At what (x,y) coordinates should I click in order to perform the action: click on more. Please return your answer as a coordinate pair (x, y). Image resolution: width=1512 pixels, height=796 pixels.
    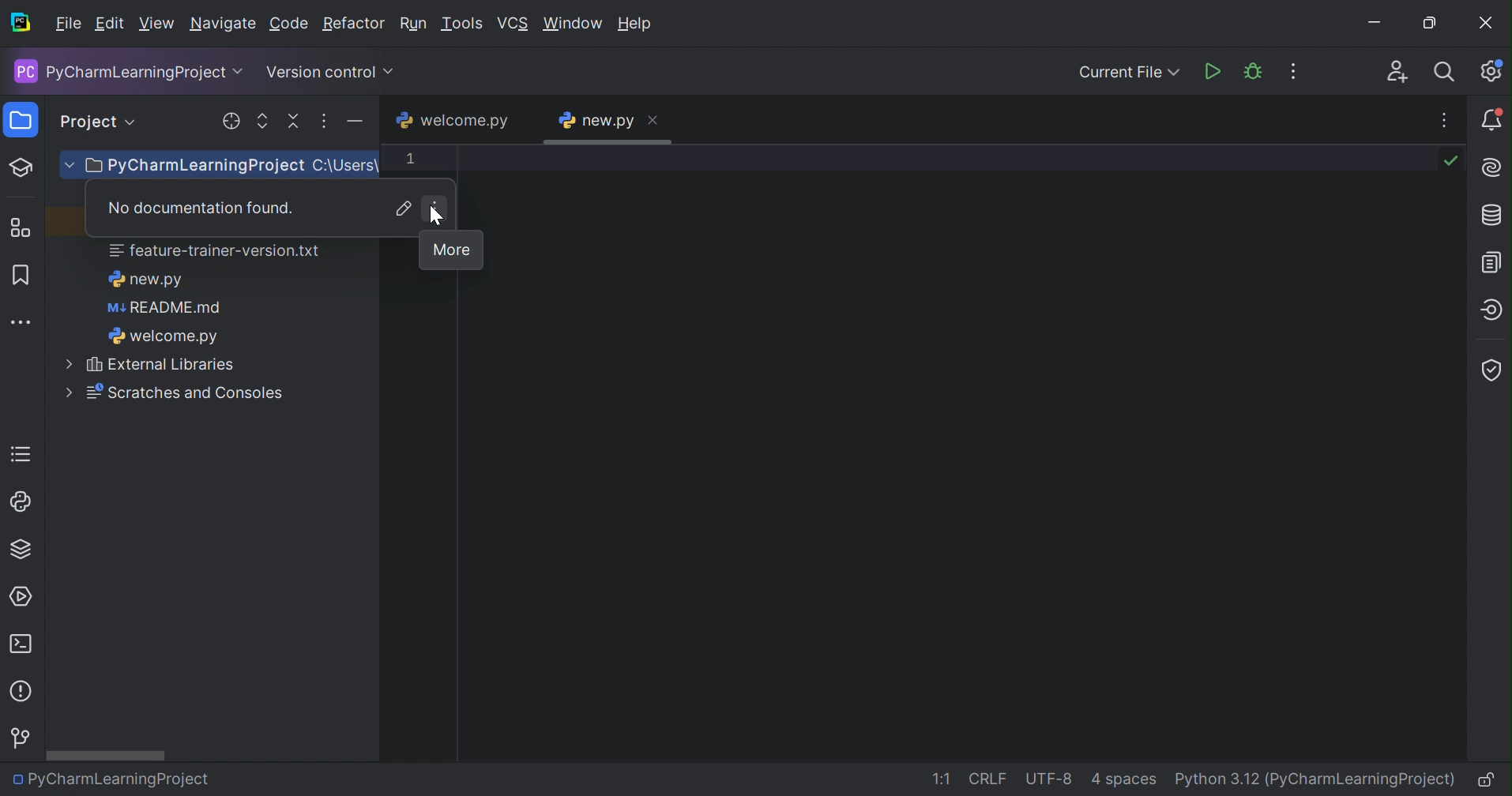
    Looking at the image, I should click on (324, 123).